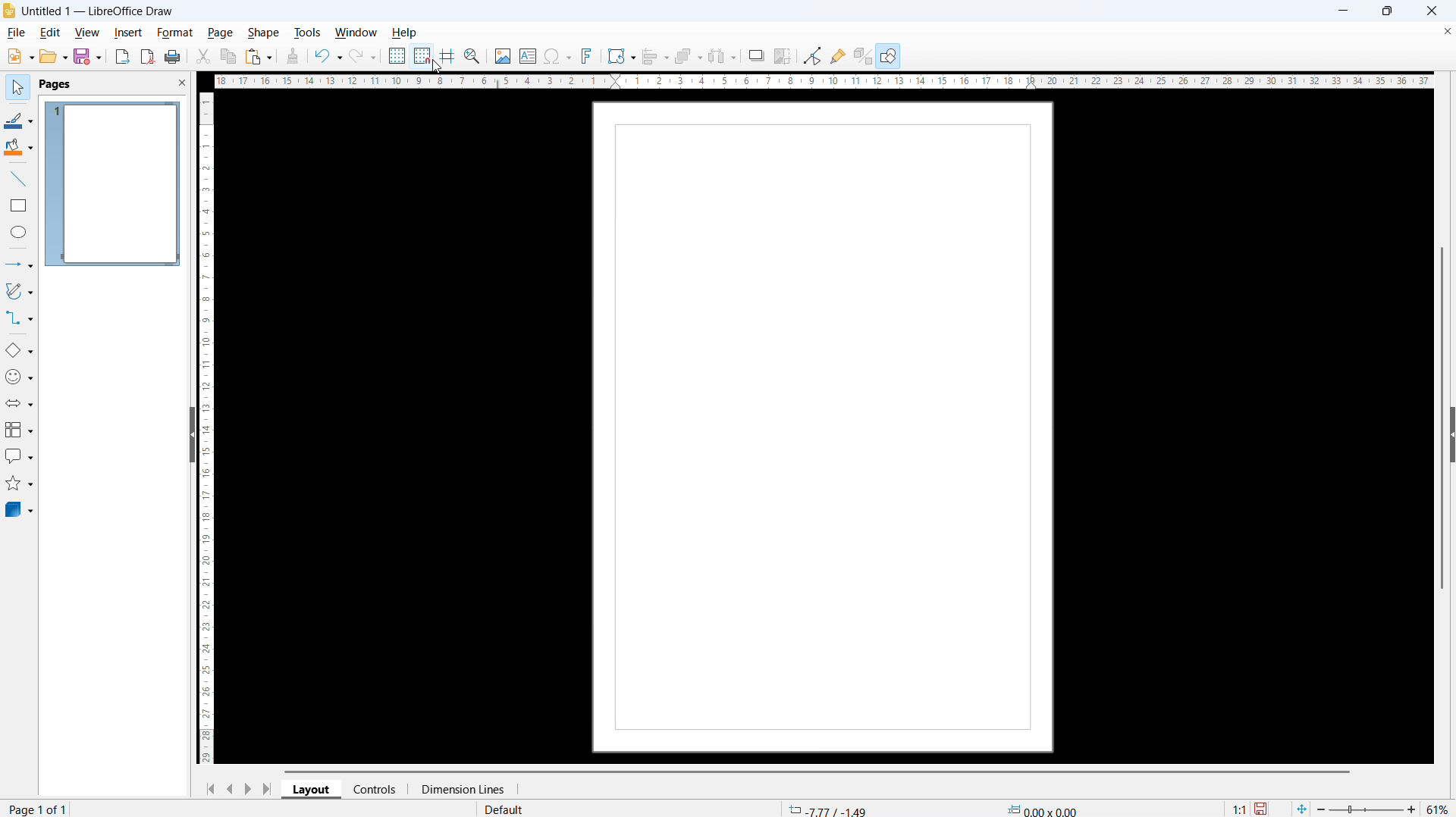 Image resolution: width=1456 pixels, height=817 pixels. What do you see at coordinates (19, 510) in the screenshot?
I see `3D objects` at bounding box center [19, 510].